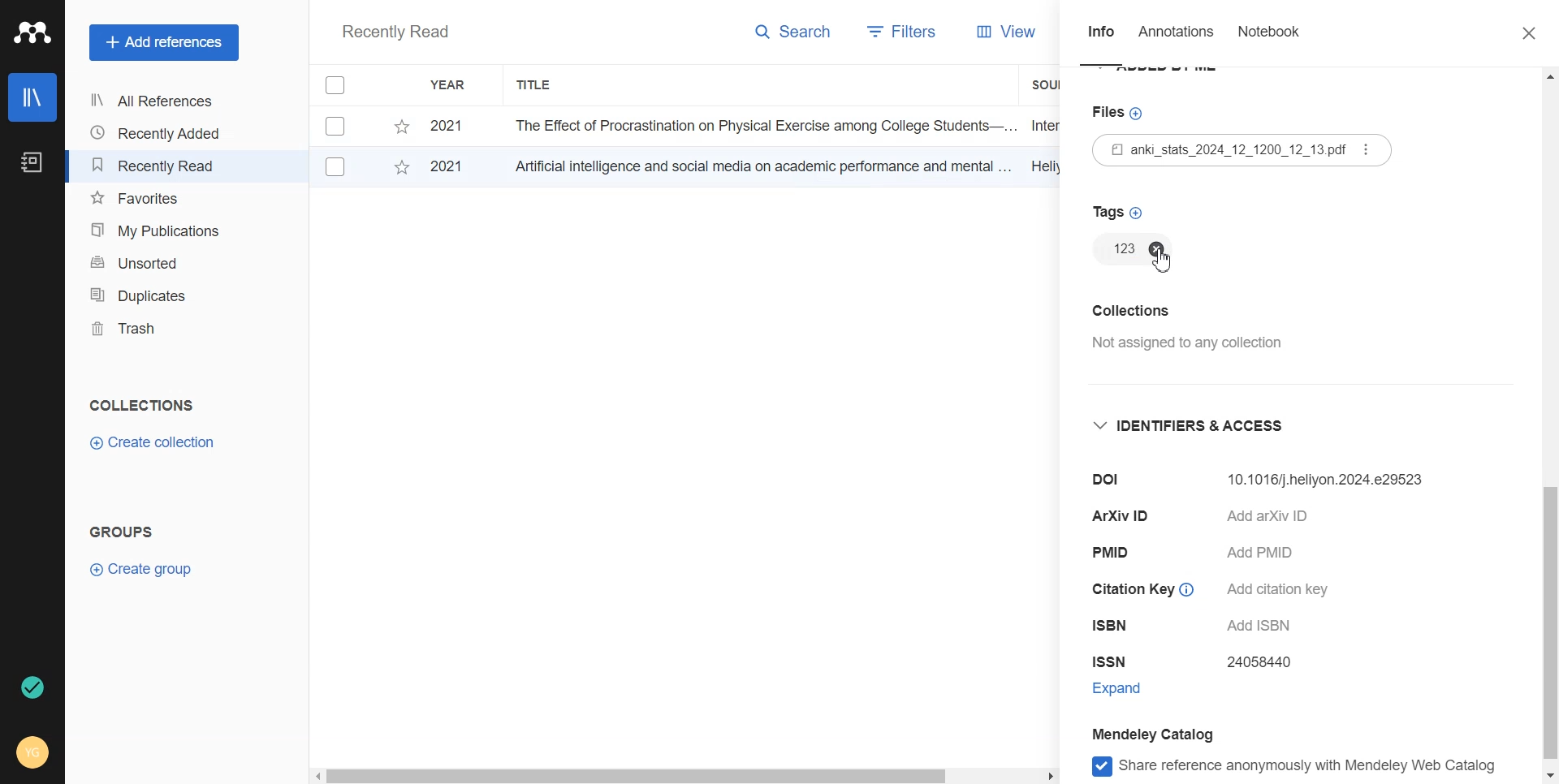  Describe the element at coordinates (1166, 258) in the screenshot. I see `Cursor deleted the 123 tag` at that location.